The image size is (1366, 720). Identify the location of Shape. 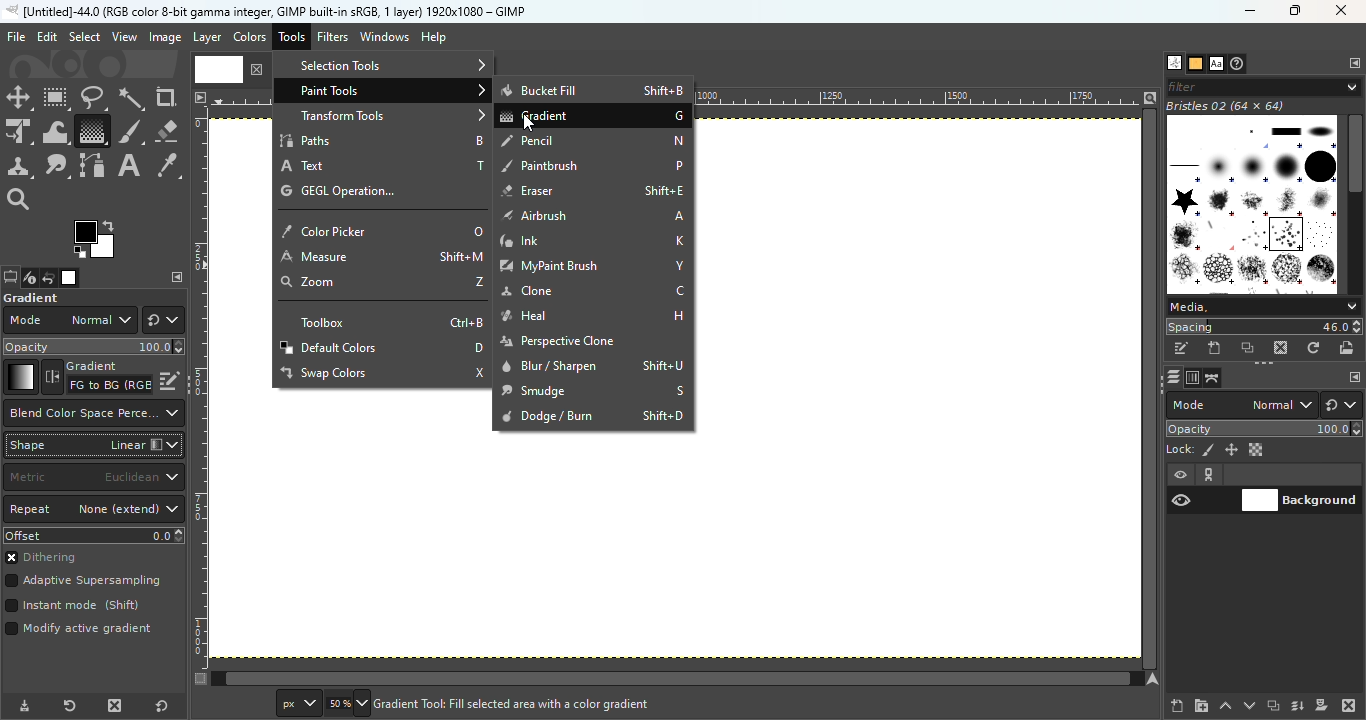
(93, 445).